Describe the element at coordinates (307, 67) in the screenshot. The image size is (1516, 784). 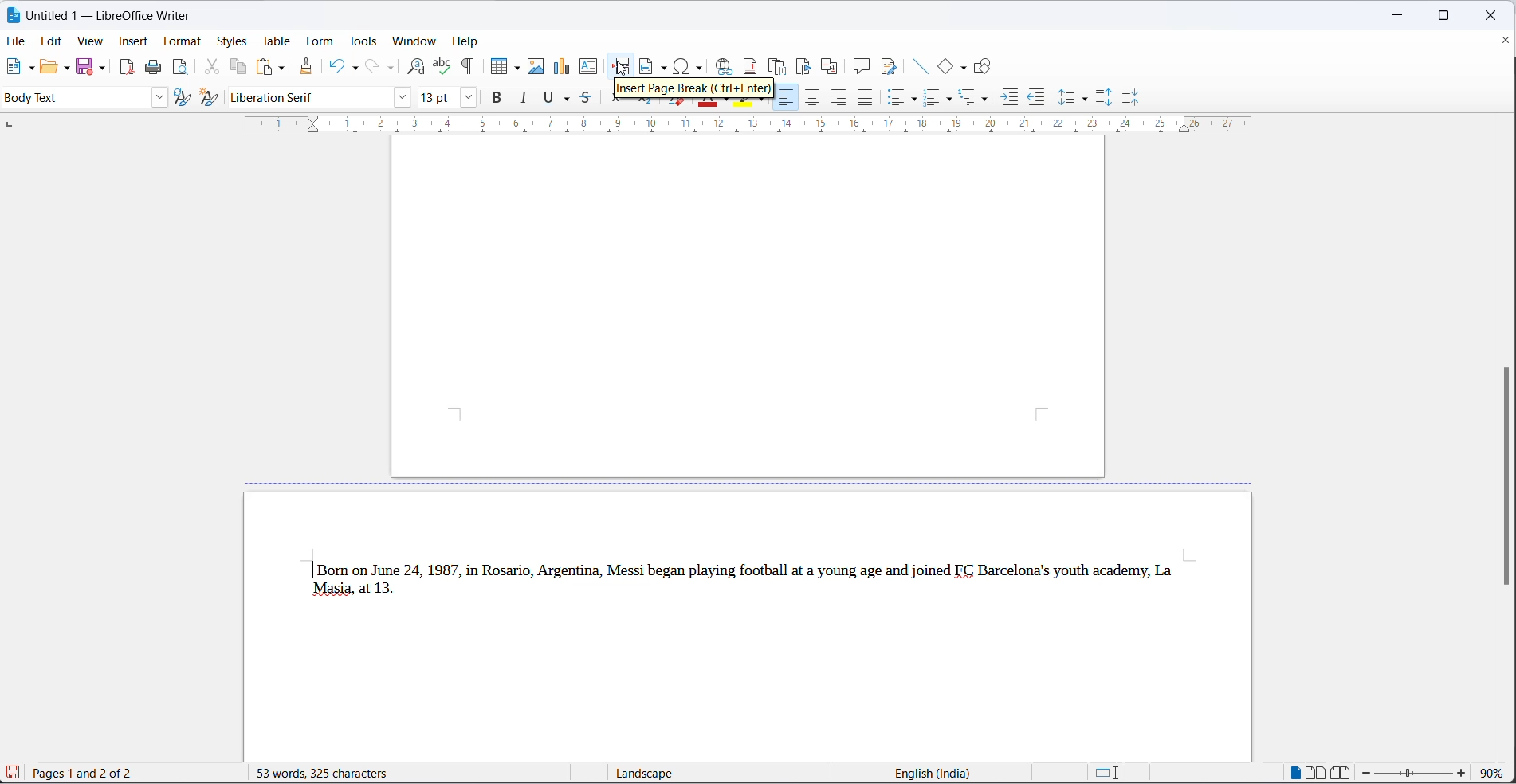
I see `clone formatting` at that location.